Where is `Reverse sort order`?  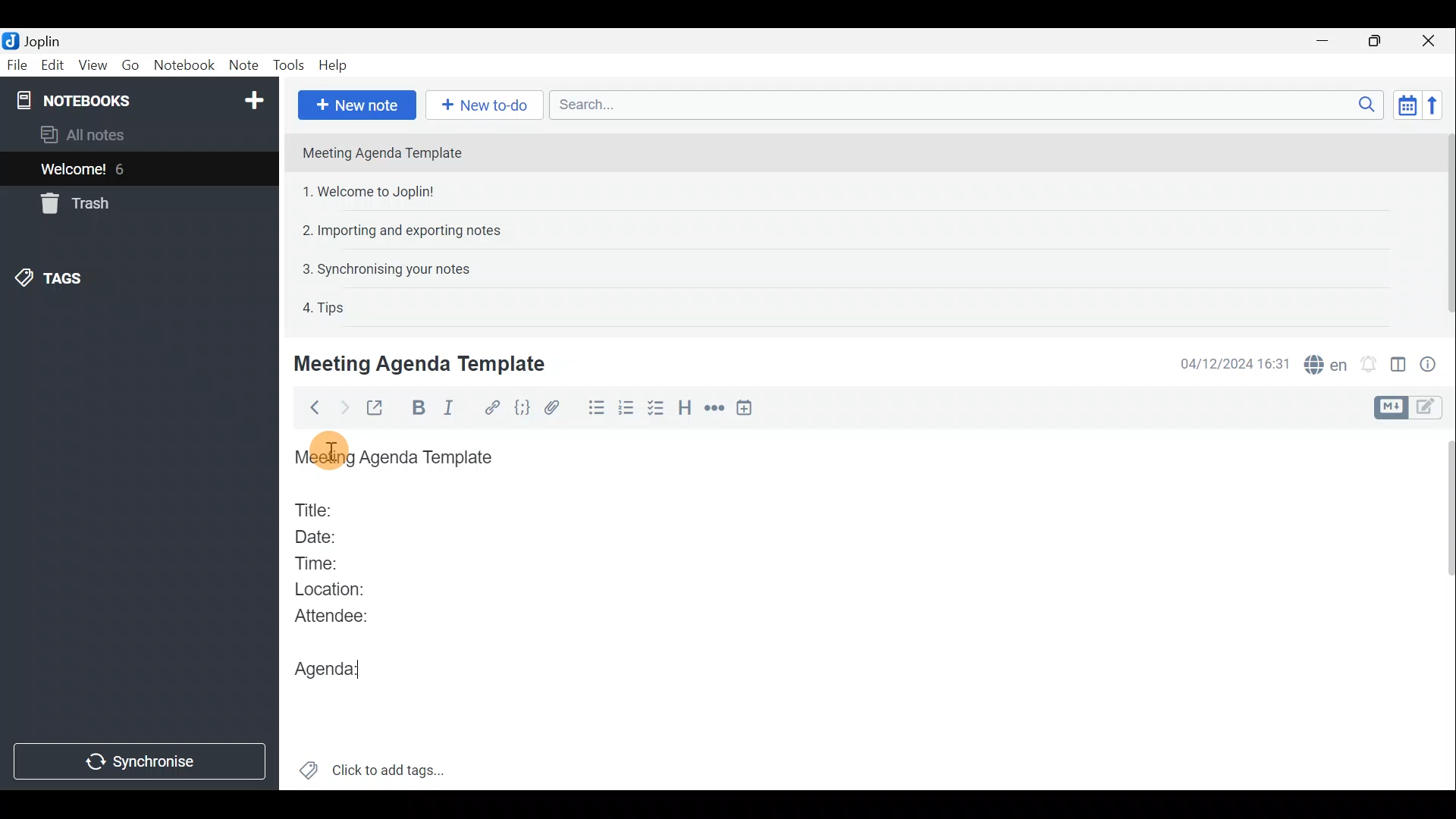
Reverse sort order is located at coordinates (1432, 105).